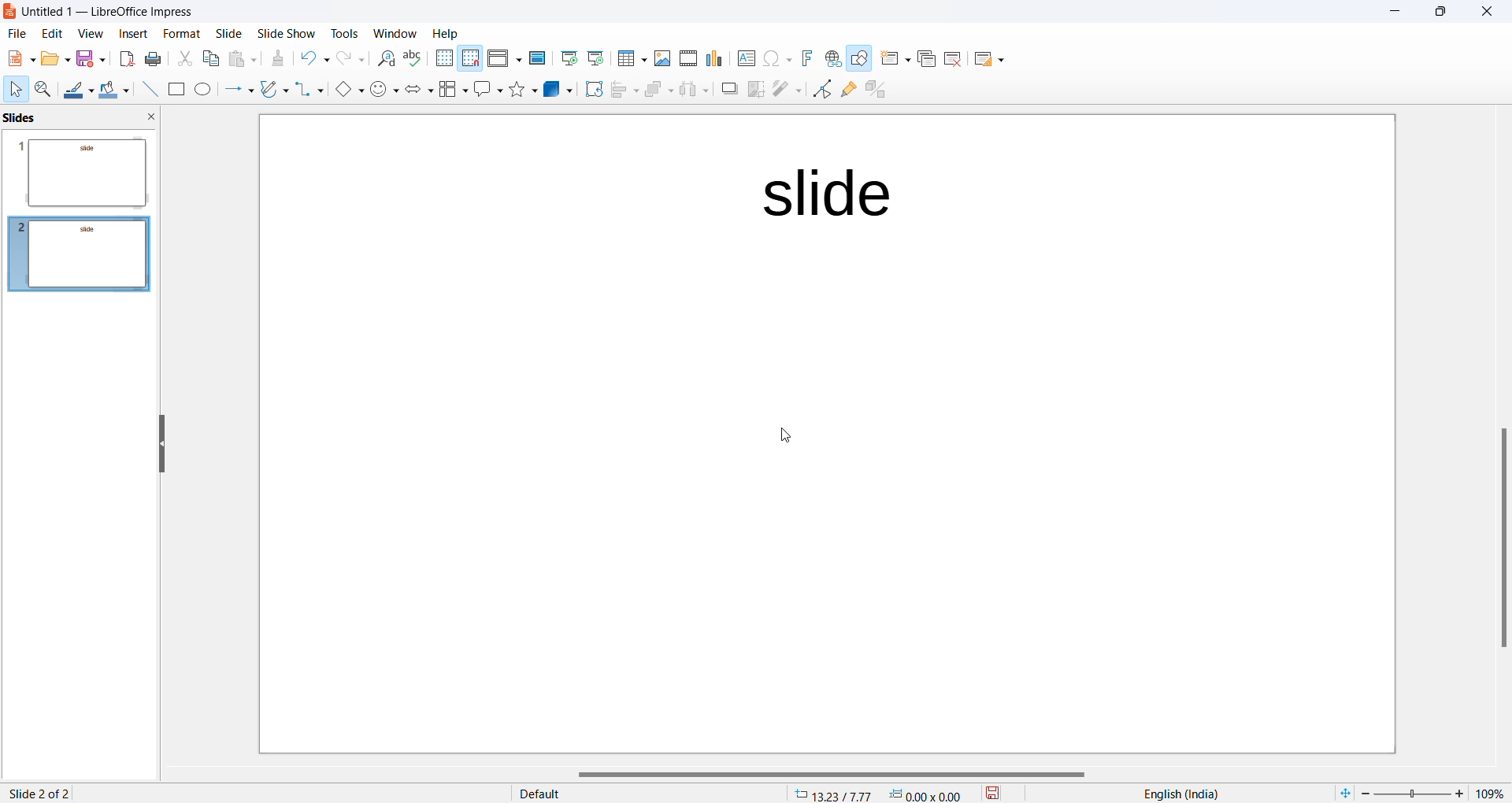  Describe the element at coordinates (91, 59) in the screenshot. I see `Save option` at that location.